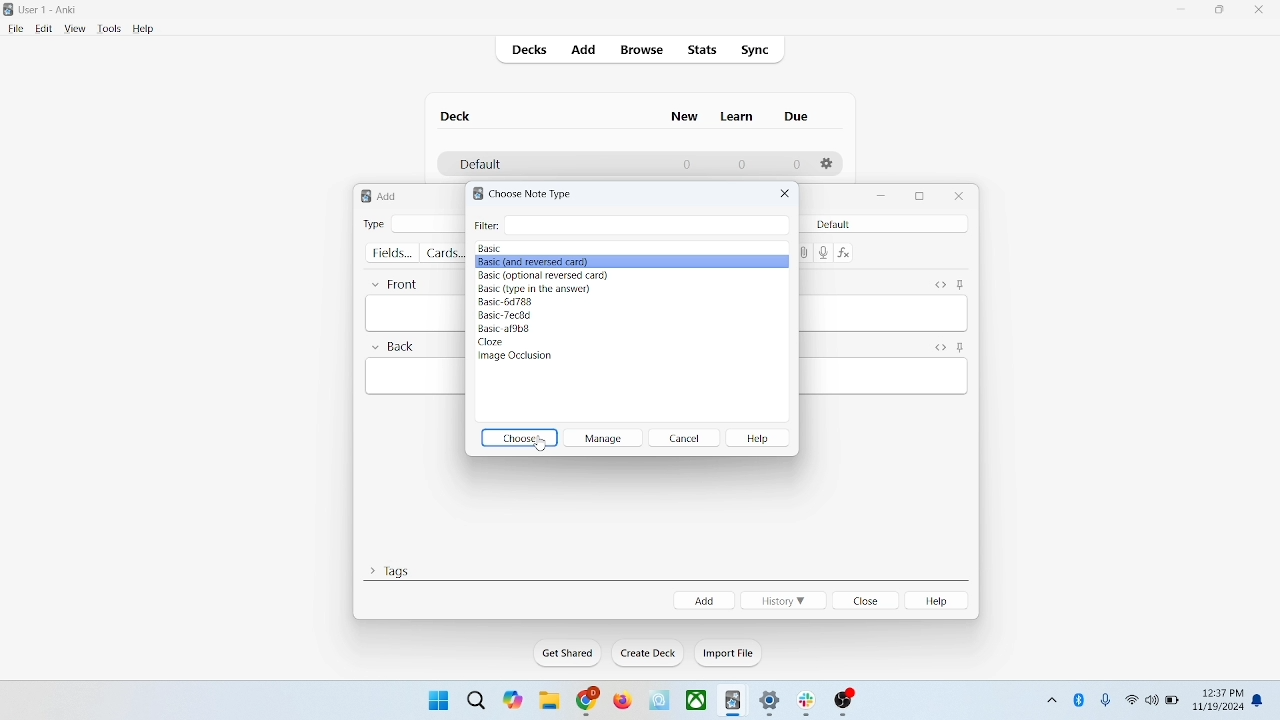 This screenshot has height=720, width=1280. What do you see at coordinates (436, 699) in the screenshot?
I see `window` at bounding box center [436, 699].